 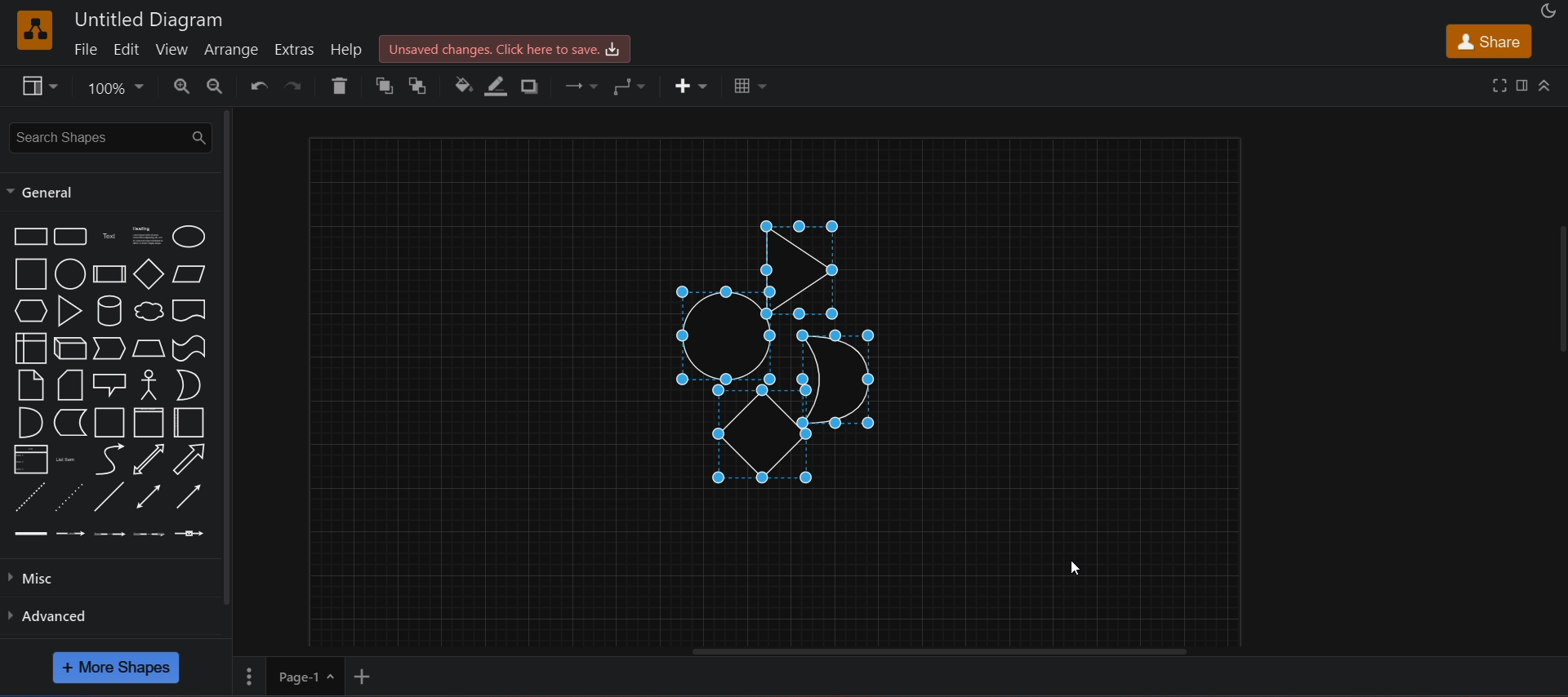 What do you see at coordinates (109, 348) in the screenshot?
I see `step` at bounding box center [109, 348].